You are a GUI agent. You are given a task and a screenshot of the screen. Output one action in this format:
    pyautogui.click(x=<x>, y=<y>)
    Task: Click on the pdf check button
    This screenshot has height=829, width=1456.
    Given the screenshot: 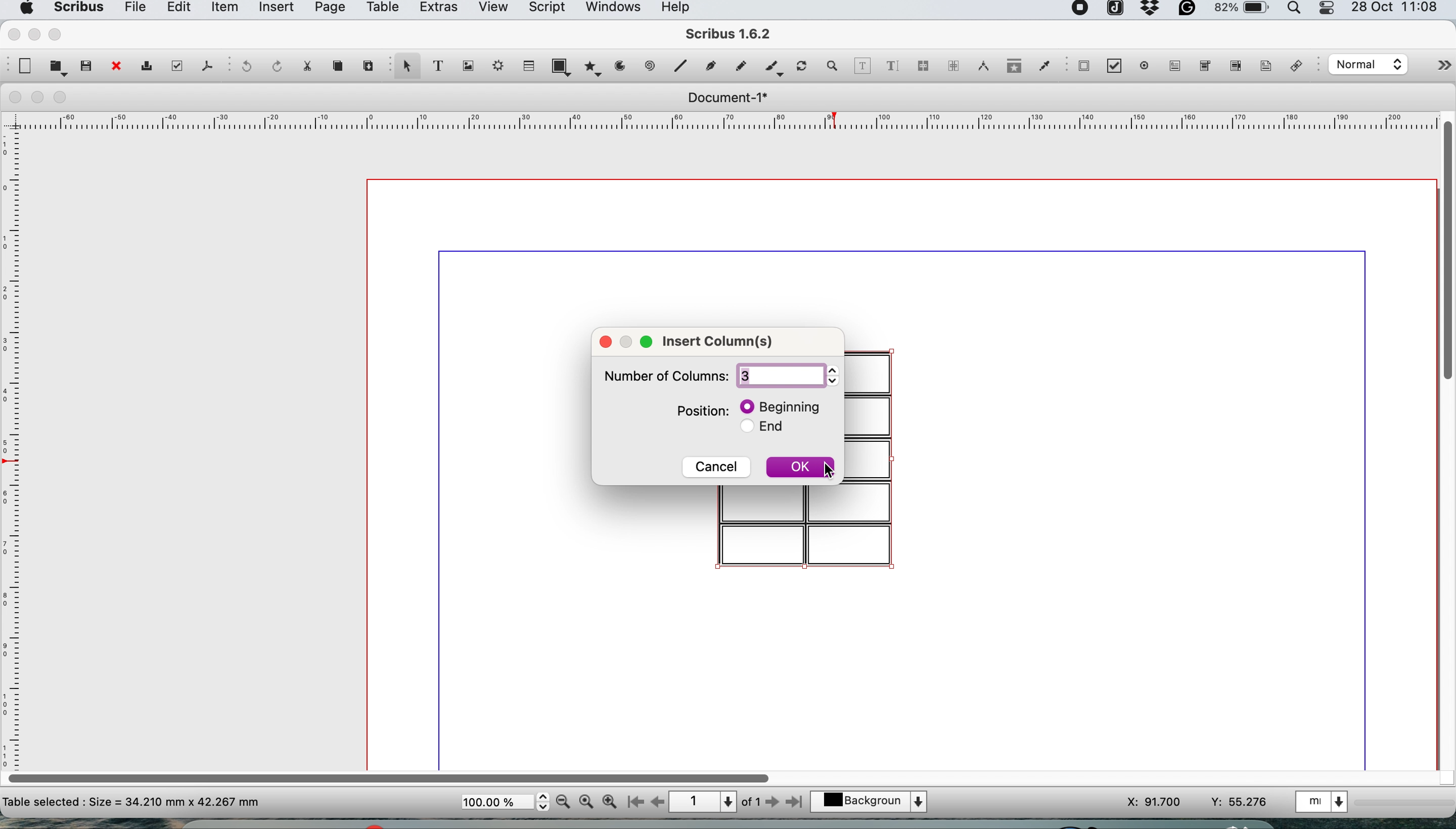 What is the action you would take?
    pyautogui.click(x=1118, y=67)
    